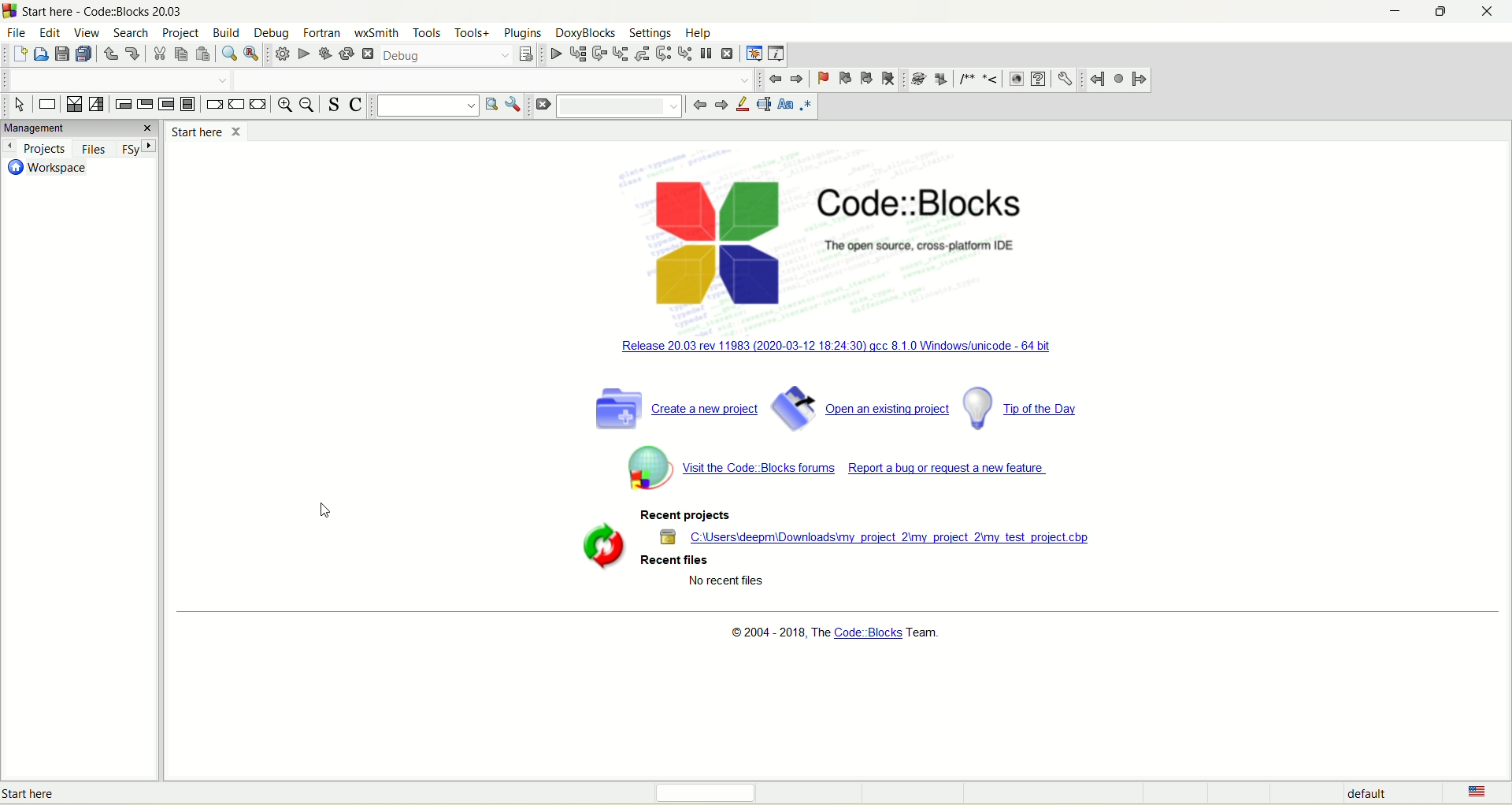 This screenshot has width=1512, height=805. I want to click on cut, so click(161, 54).